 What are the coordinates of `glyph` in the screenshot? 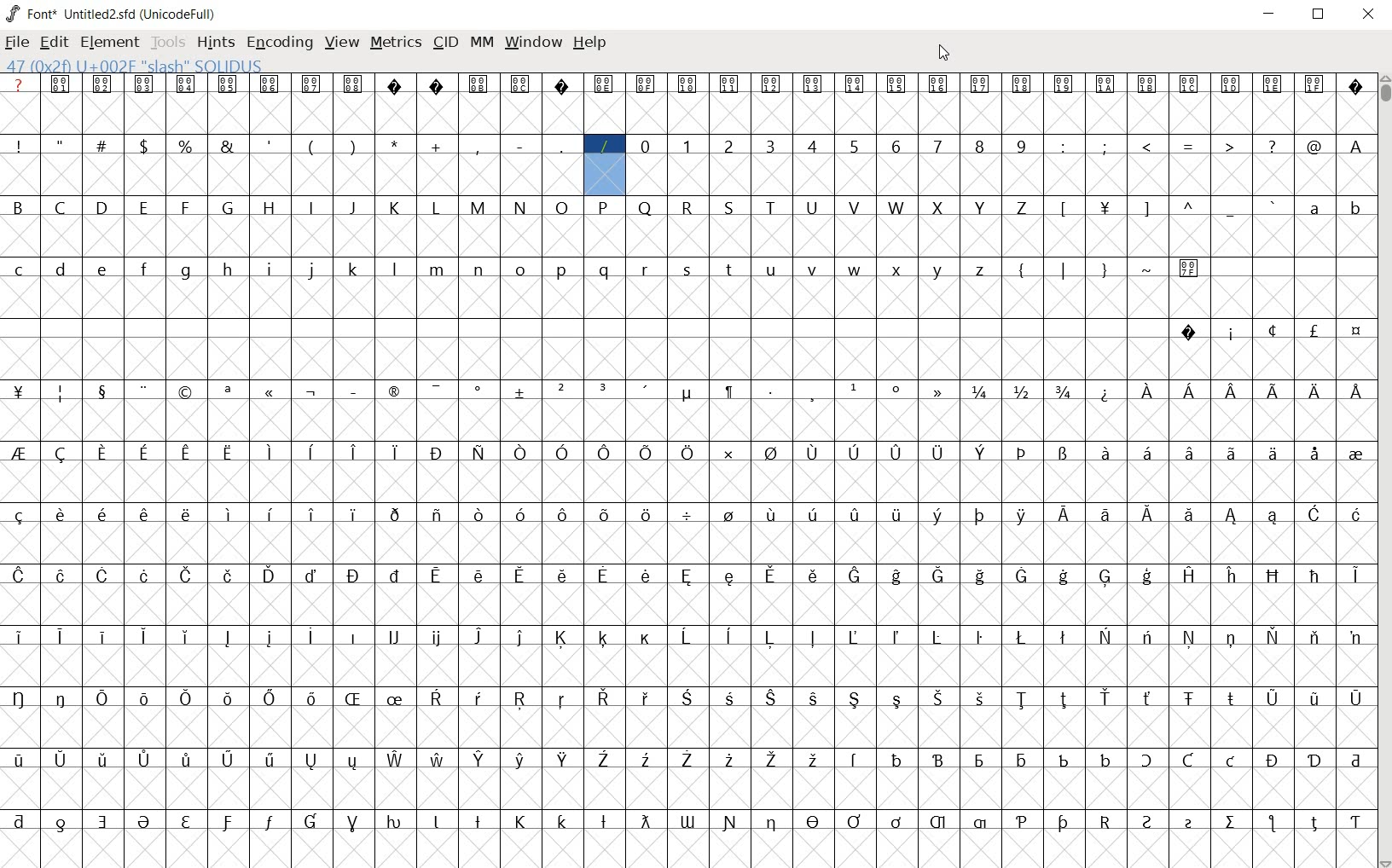 It's located at (603, 84).